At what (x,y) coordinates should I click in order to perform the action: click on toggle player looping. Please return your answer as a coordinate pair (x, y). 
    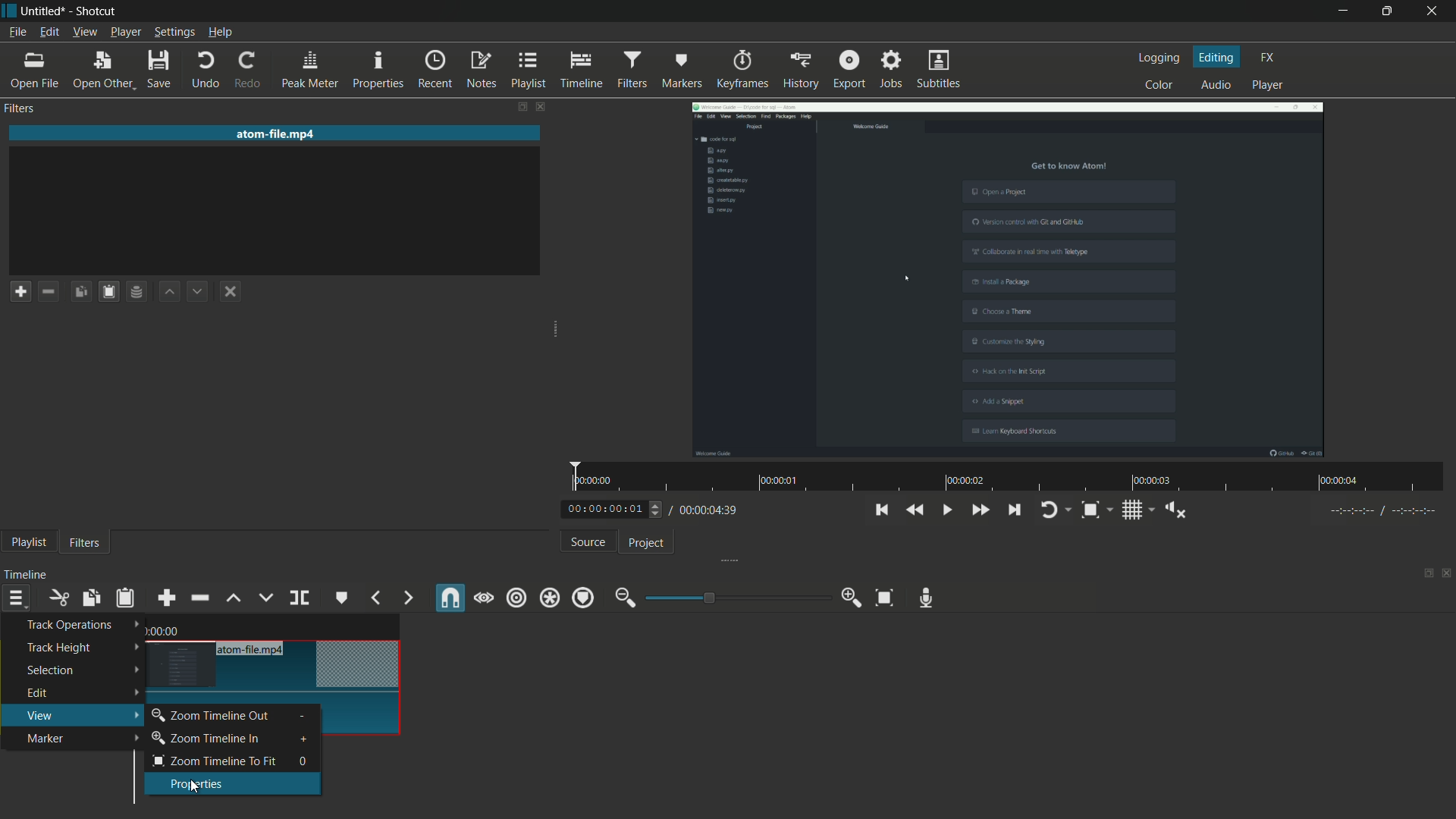
    Looking at the image, I should click on (1049, 510).